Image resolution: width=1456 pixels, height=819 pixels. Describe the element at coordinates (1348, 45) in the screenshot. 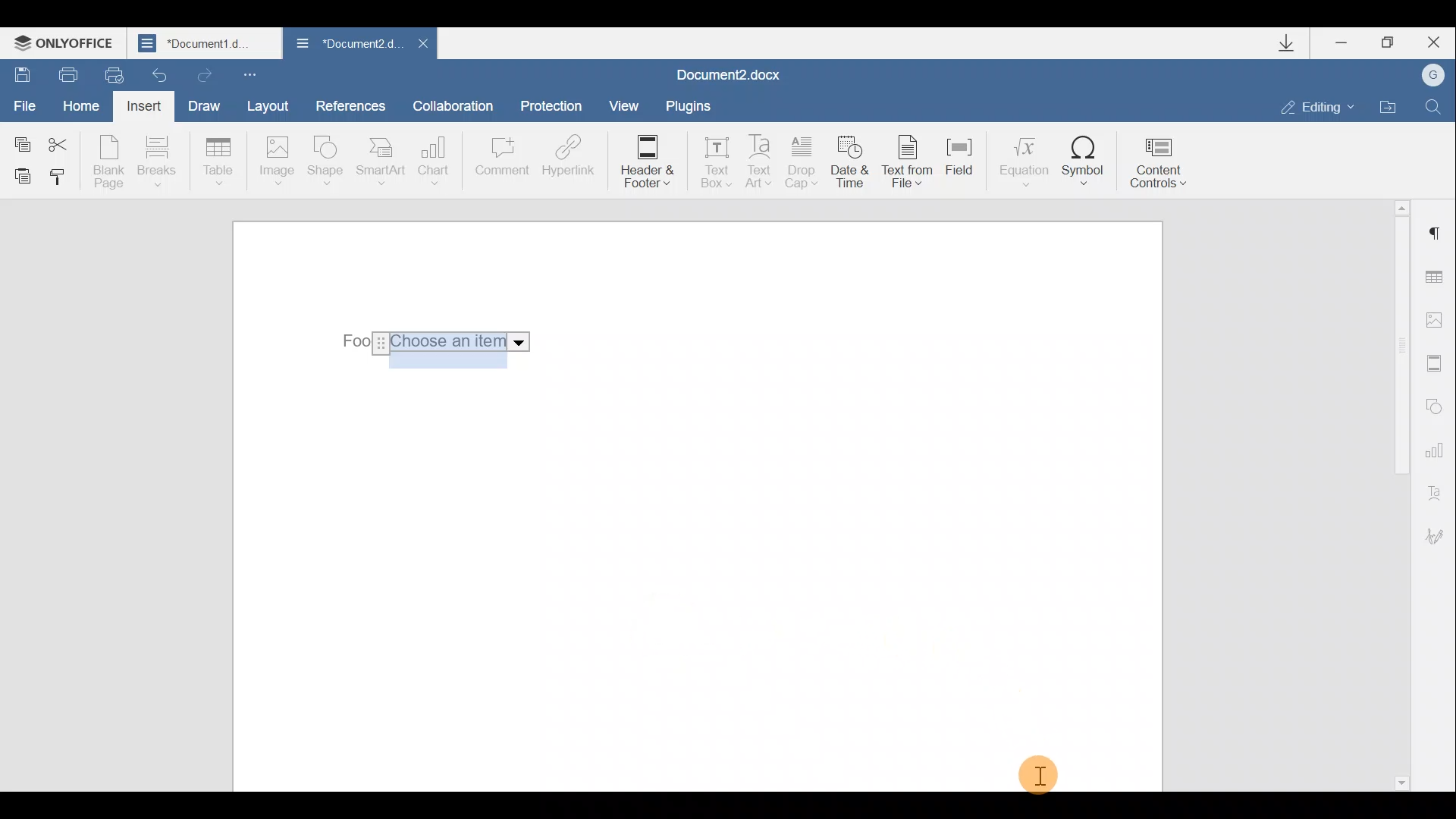

I see `Minimize` at that location.